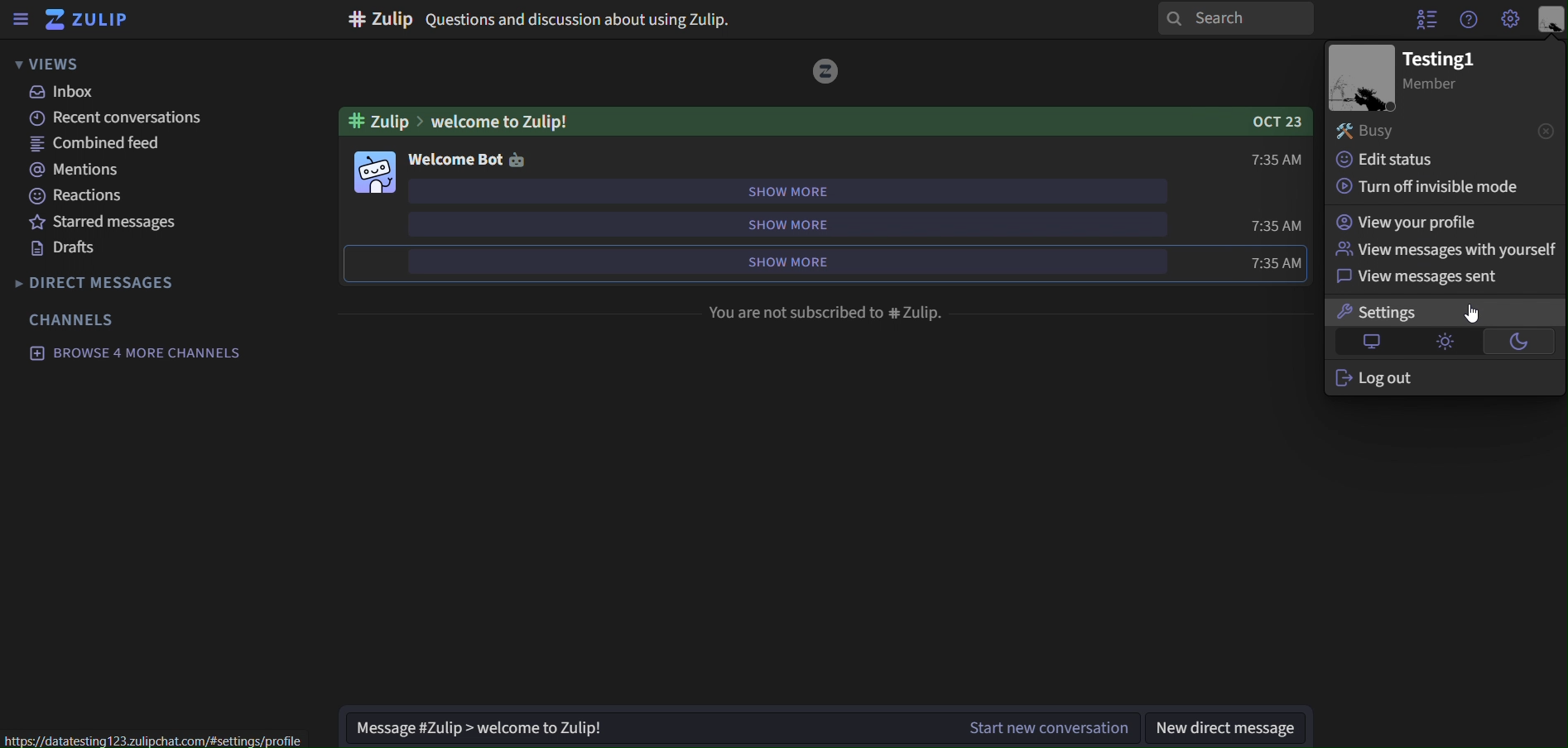 Image resolution: width=1568 pixels, height=748 pixels. Describe the element at coordinates (73, 319) in the screenshot. I see `channels` at that location.